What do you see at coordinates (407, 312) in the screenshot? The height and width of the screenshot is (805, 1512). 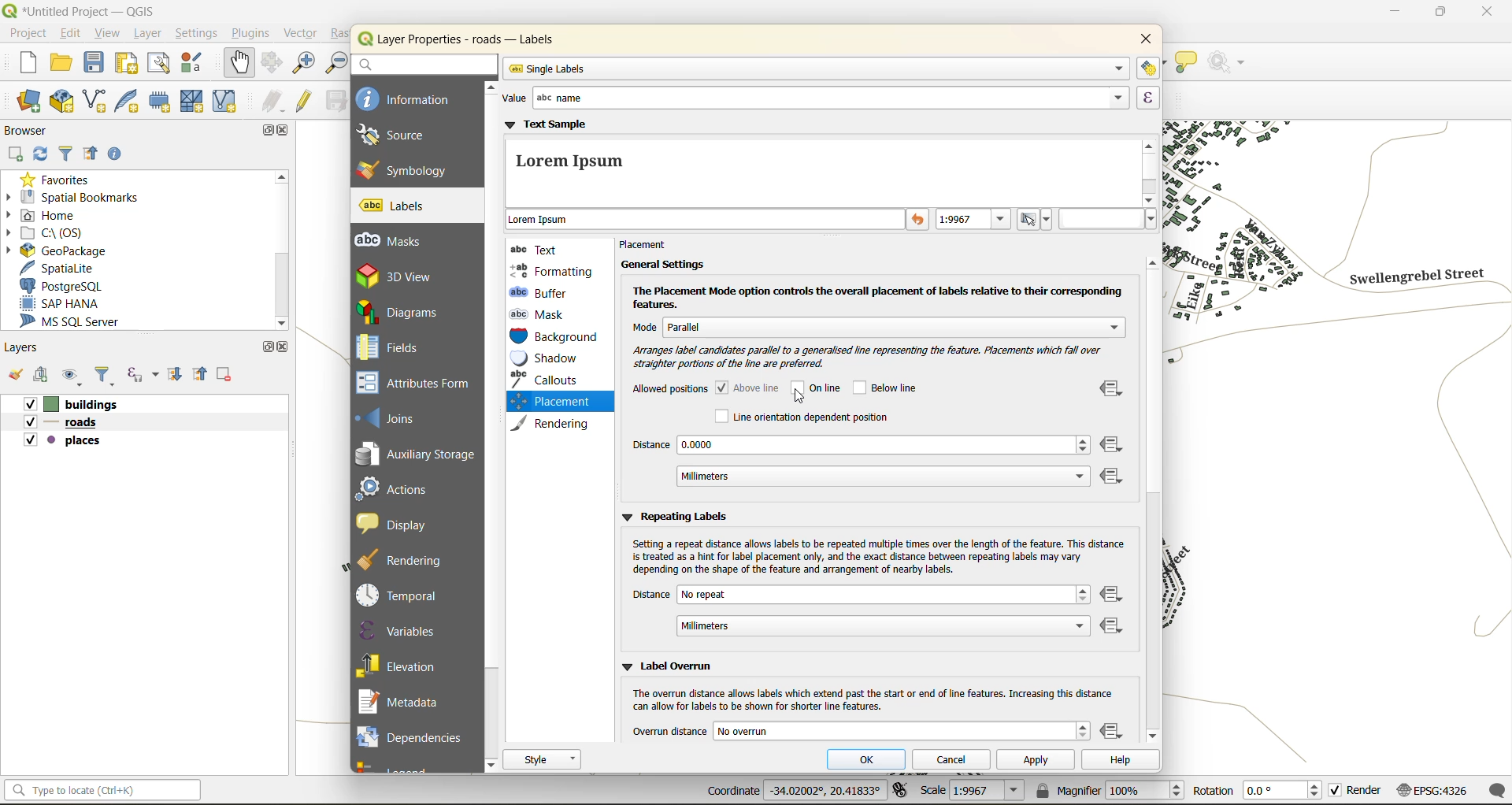 I see `diagrams` at bounding box center [407, 312].